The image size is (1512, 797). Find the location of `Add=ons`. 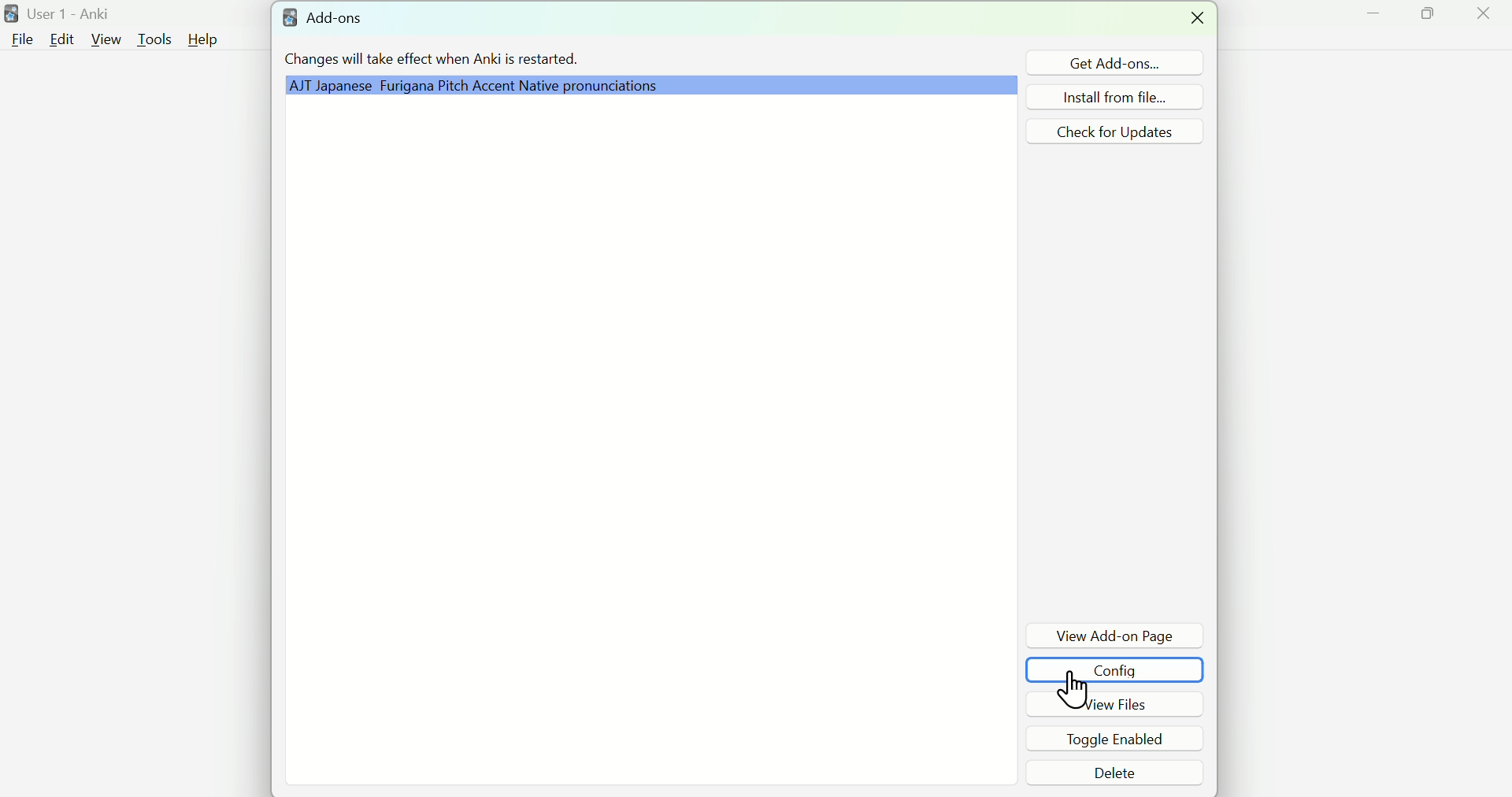

Add=ons is located at coordinates (329, 17).